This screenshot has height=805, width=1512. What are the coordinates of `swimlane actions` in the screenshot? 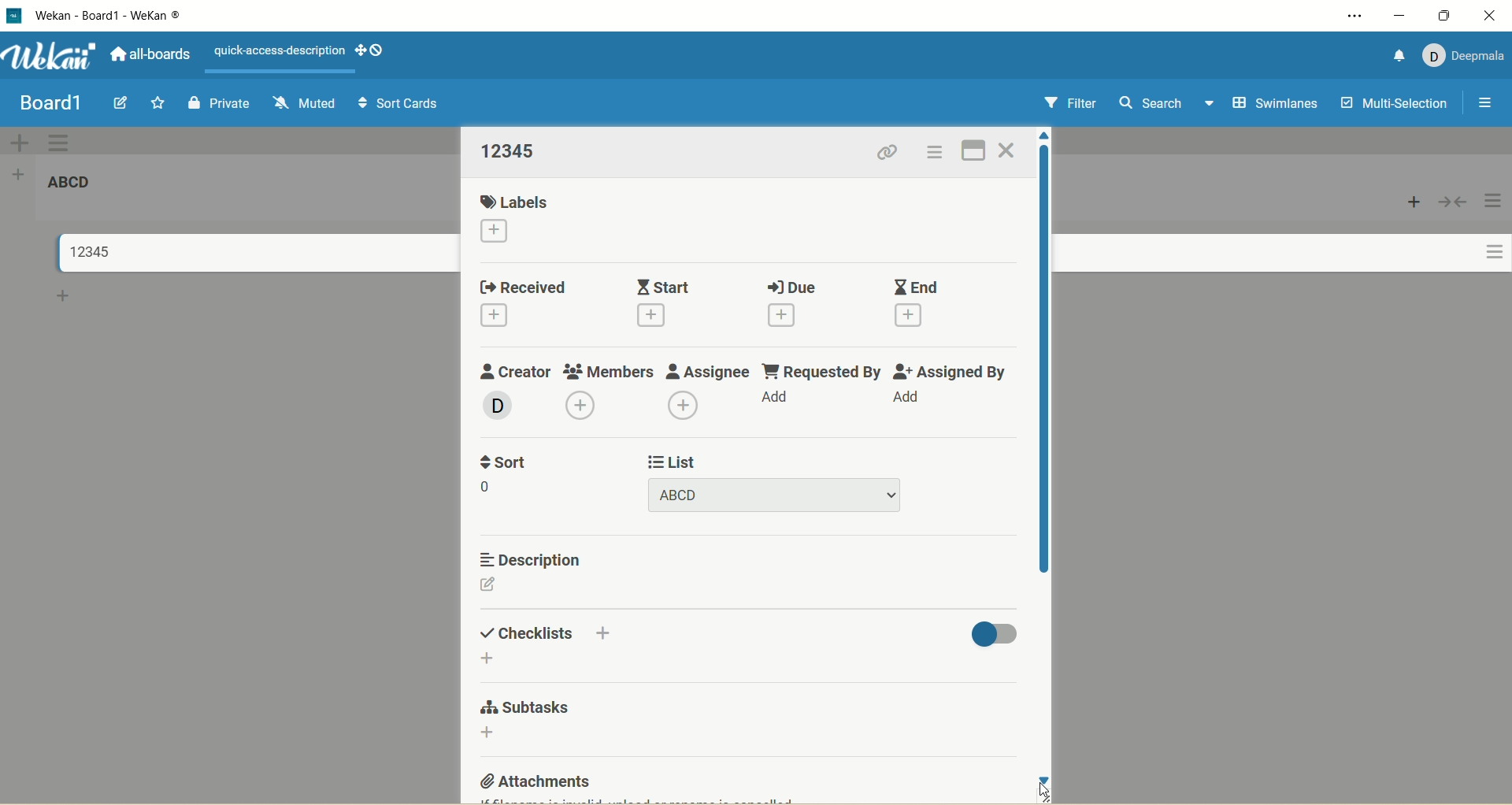 It's located at (60, 143).